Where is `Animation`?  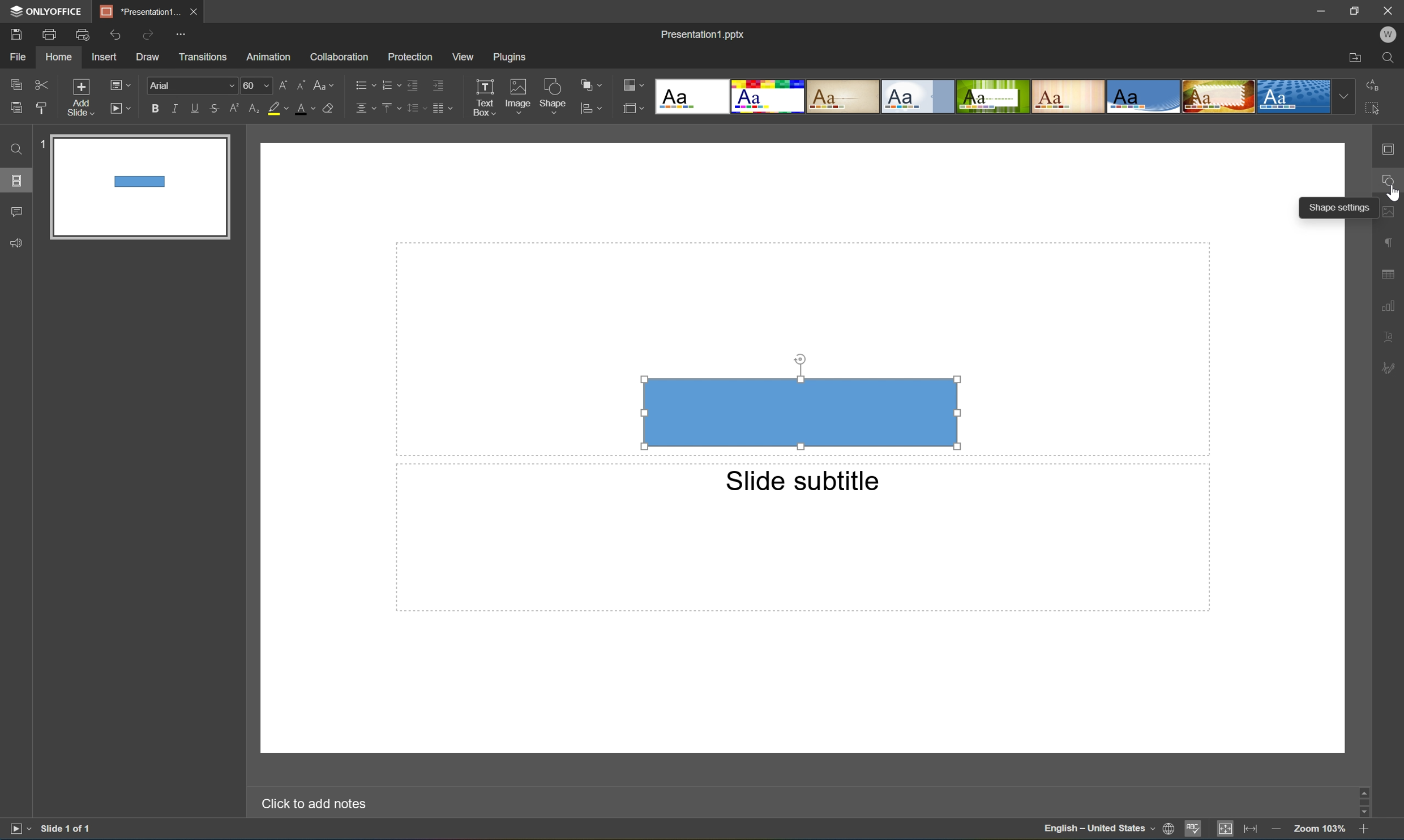 Animation is located at coordinates (271, 58).